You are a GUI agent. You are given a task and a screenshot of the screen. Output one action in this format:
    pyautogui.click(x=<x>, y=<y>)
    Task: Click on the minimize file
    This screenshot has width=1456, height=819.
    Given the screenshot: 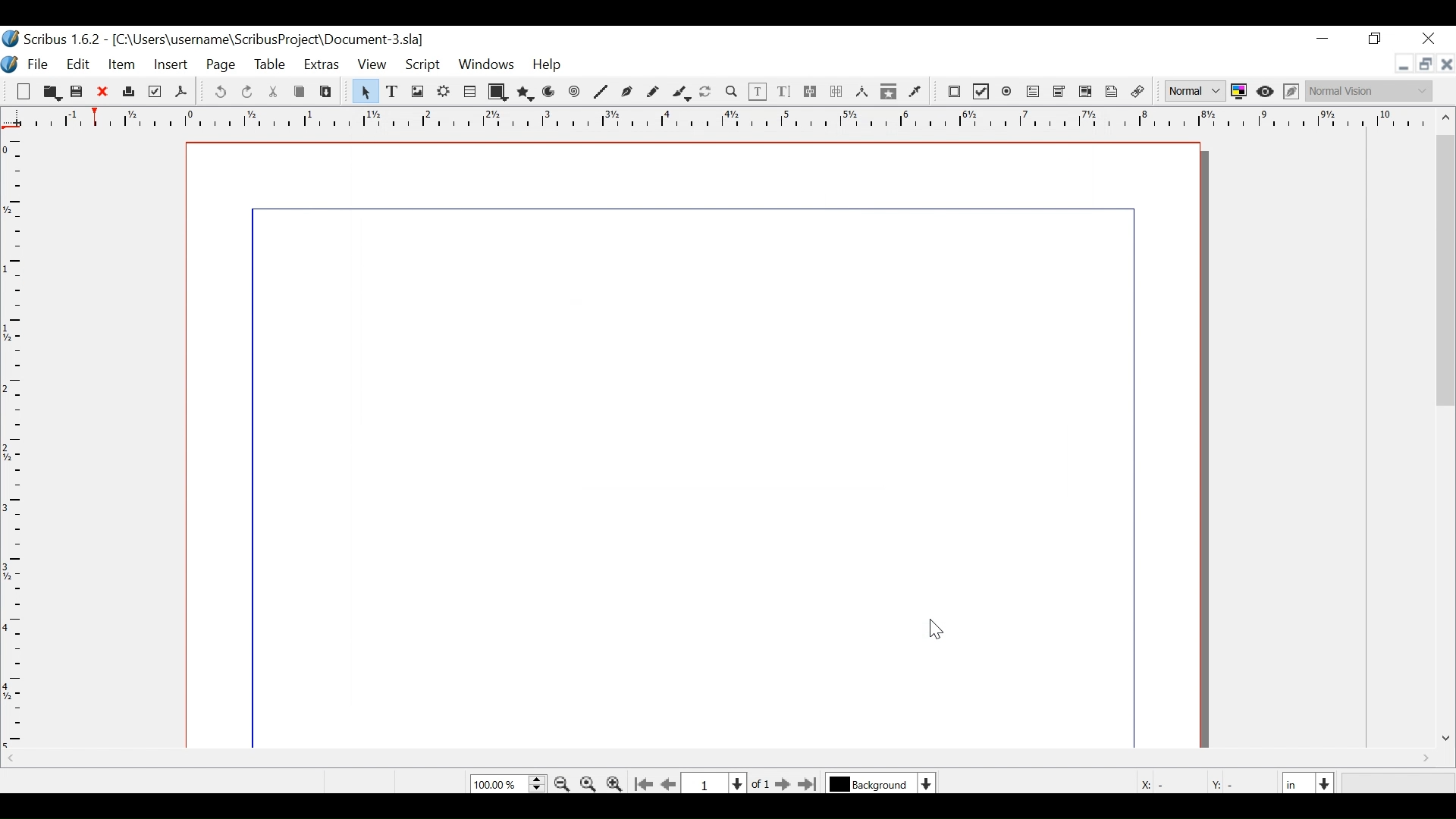 What is the action you would take?
    pyautogui.click(x=1401, y=64)
    